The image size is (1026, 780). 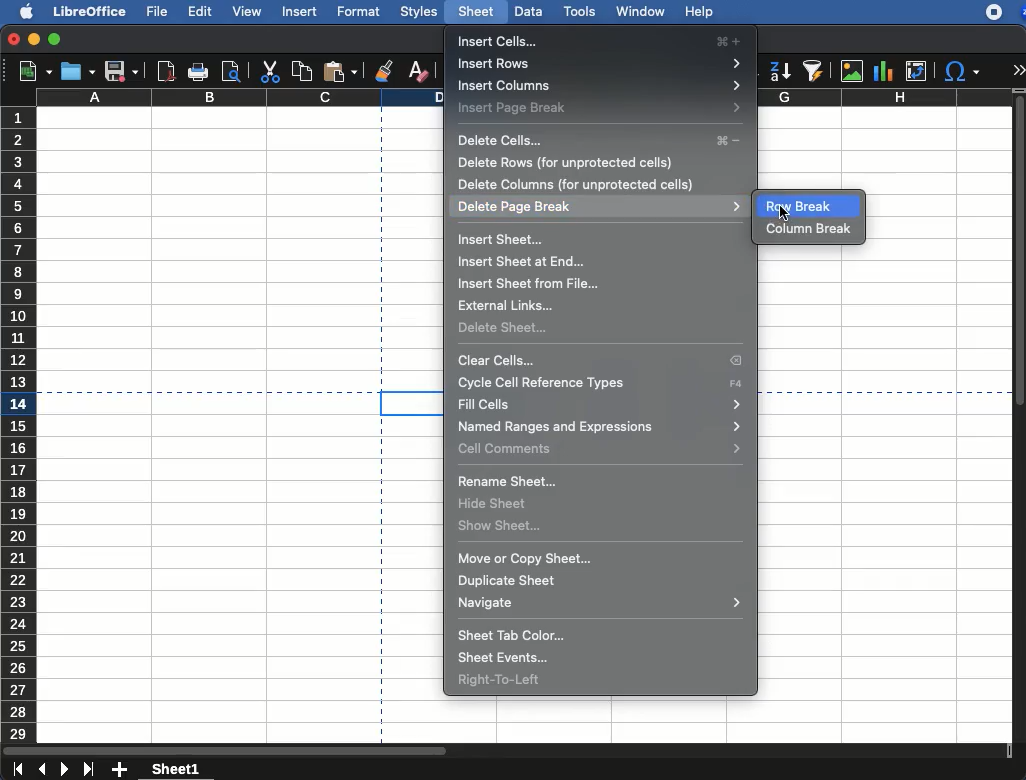 What do you see at coordinates (302, 70) in the screenshot?
I see `copy` at bounding box center [302, 70].